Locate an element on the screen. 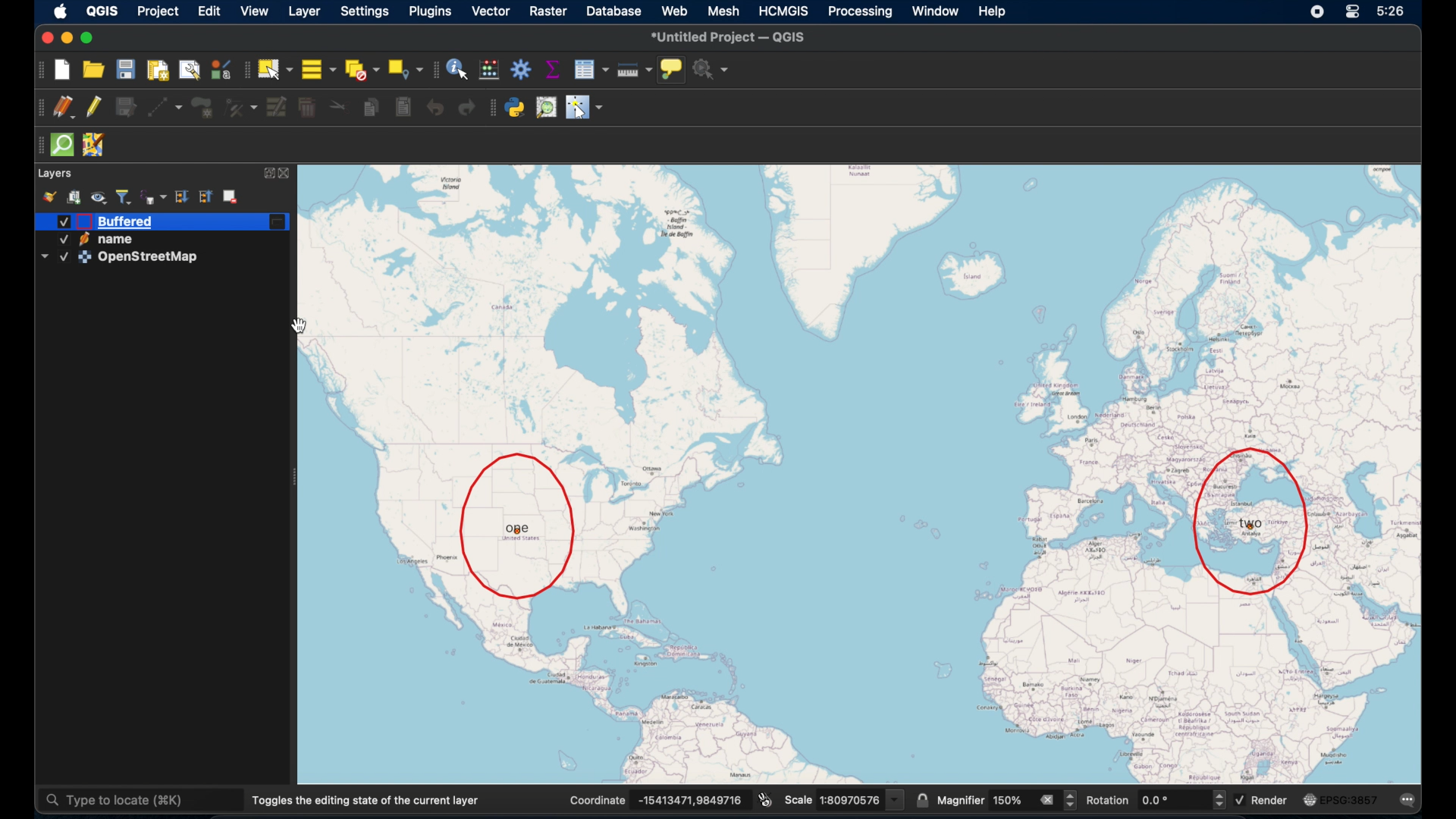  raster is located at coordinates (545, 11).